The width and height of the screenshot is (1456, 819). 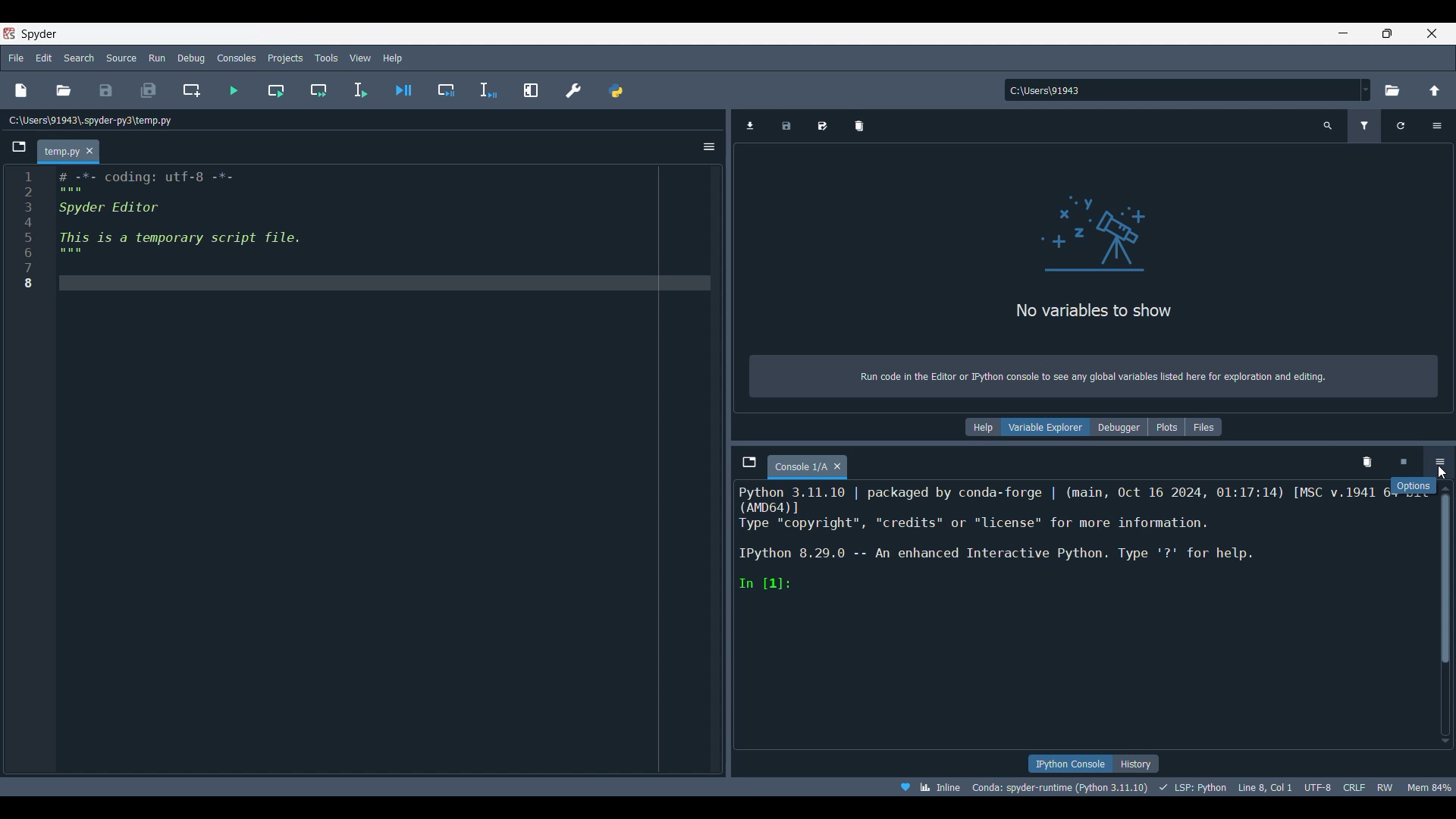 I want to click on Maximize current pane, so click(x=531, y=90).